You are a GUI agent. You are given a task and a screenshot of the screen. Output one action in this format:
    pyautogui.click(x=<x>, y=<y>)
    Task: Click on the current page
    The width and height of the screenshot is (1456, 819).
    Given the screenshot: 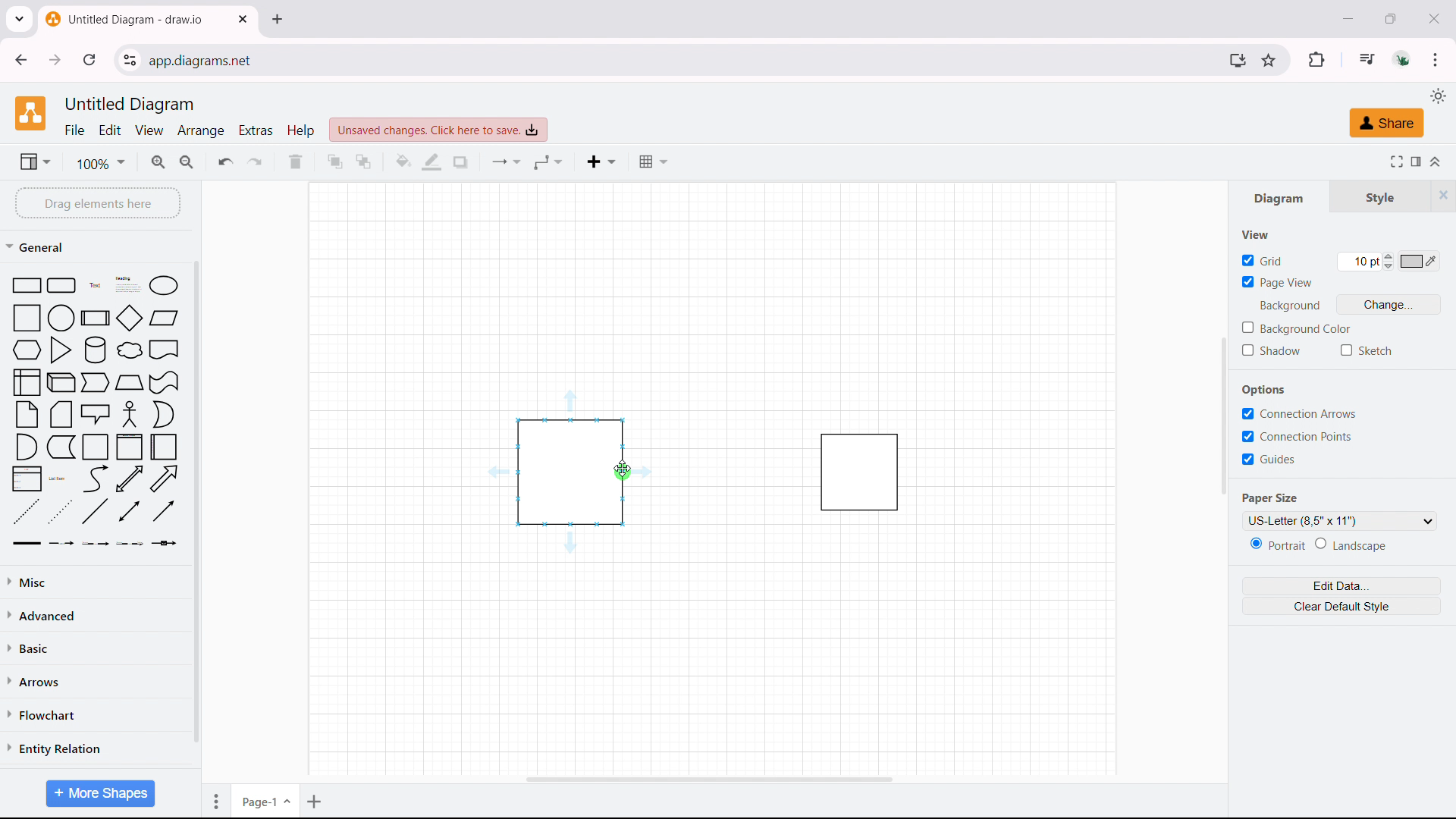 What is the action you would take?
    pyautogui.click(x=265, y=799)
    